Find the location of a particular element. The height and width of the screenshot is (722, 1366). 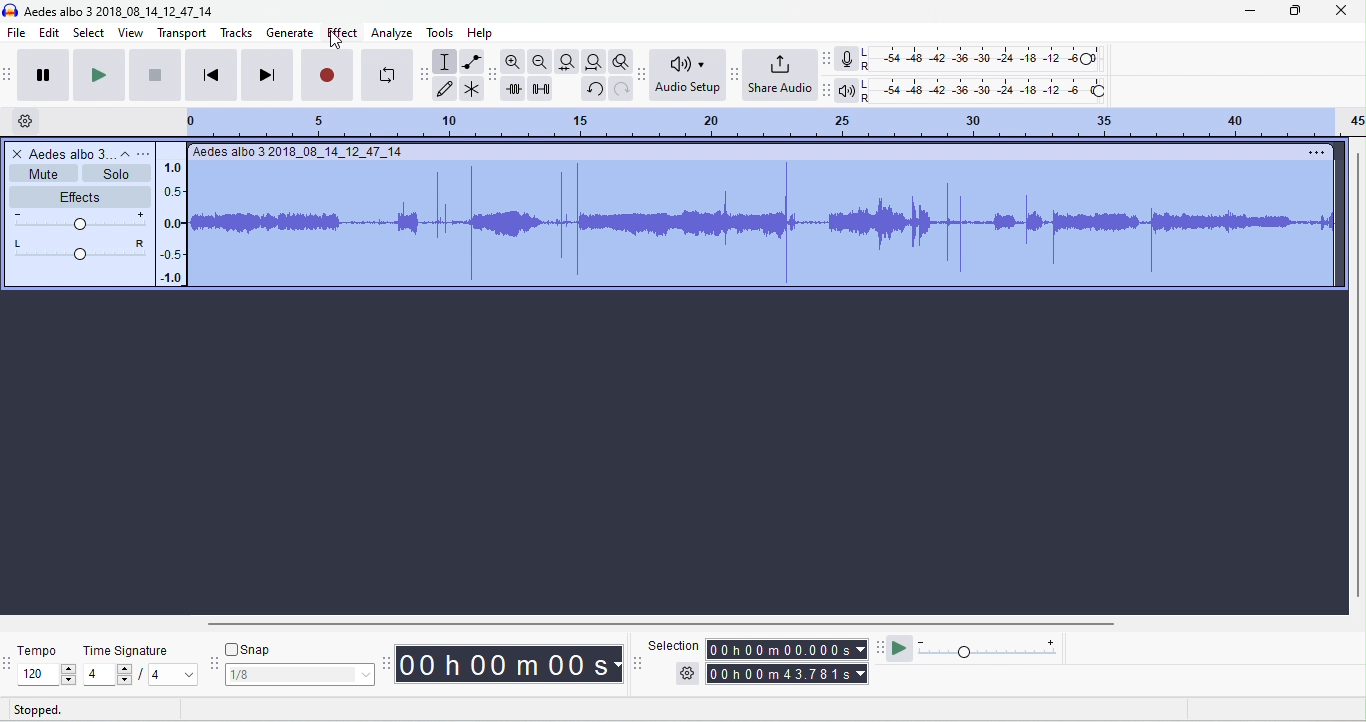

select is located at coordinates (90, 33).